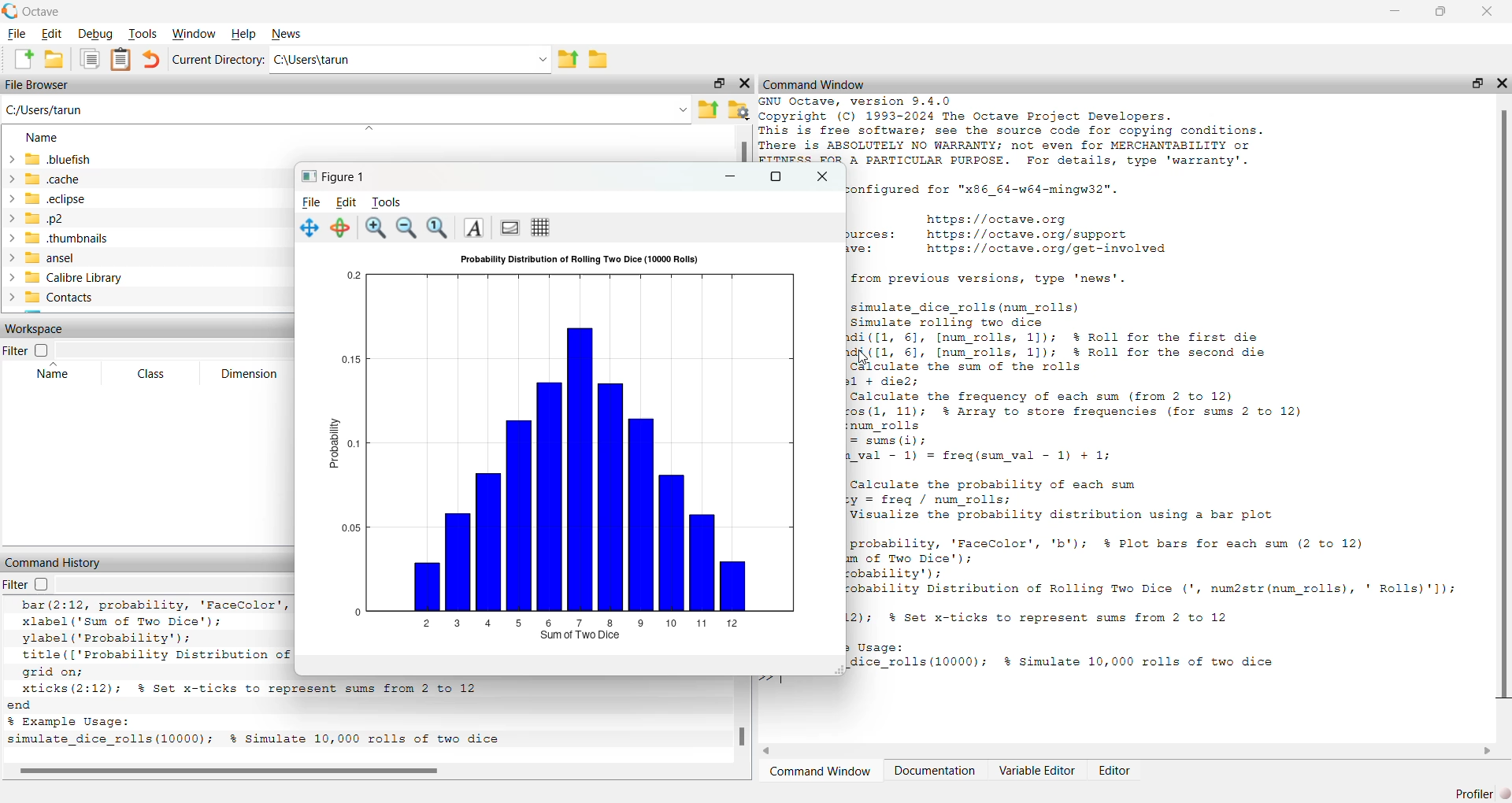 The image size is (1512, 803). What do you see at coordinates (373, 231) in the screenshot?
I see `zoom in` at bounding box center [373, 231].